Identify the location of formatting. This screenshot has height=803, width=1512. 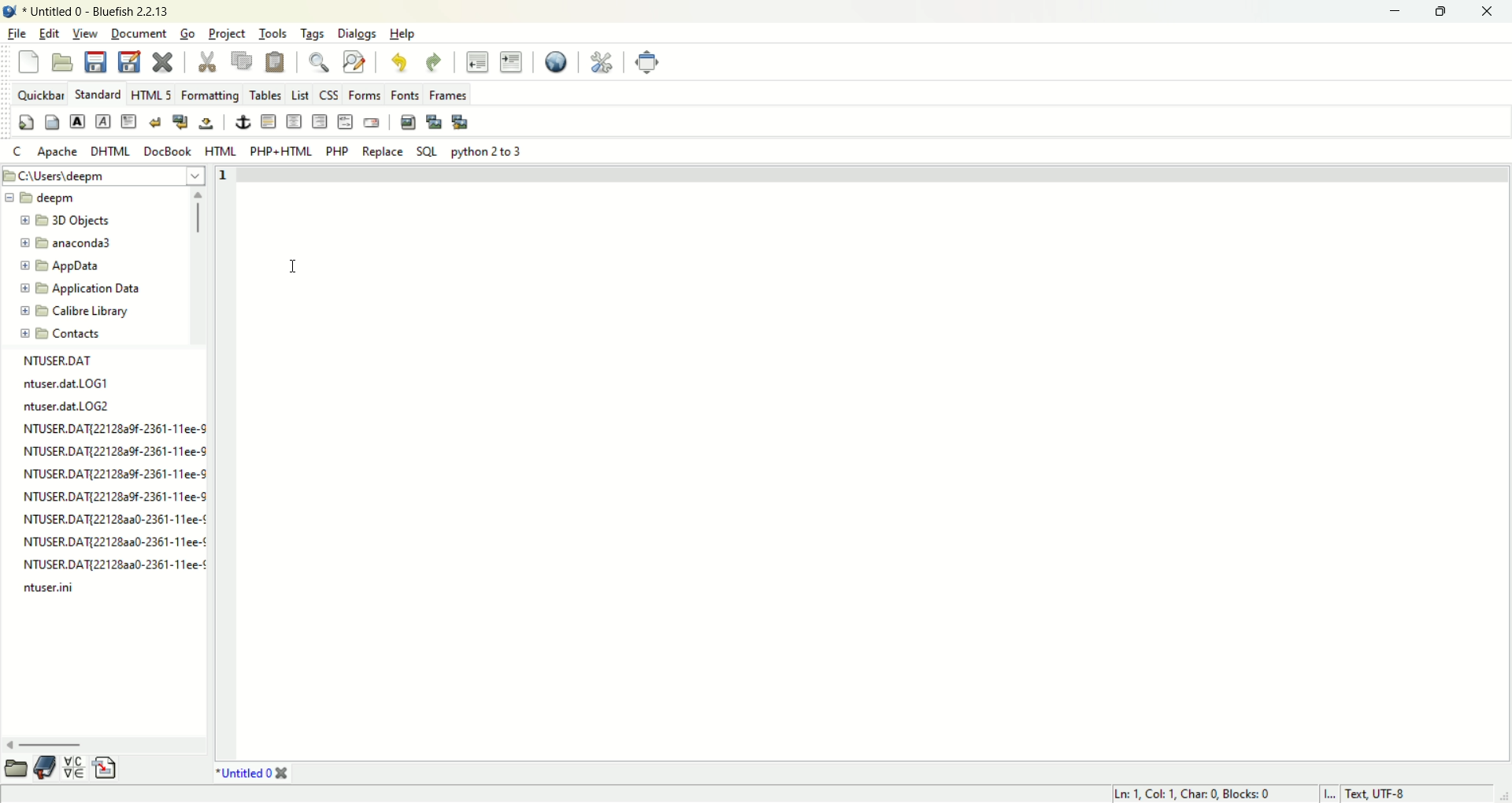
(210, 94).